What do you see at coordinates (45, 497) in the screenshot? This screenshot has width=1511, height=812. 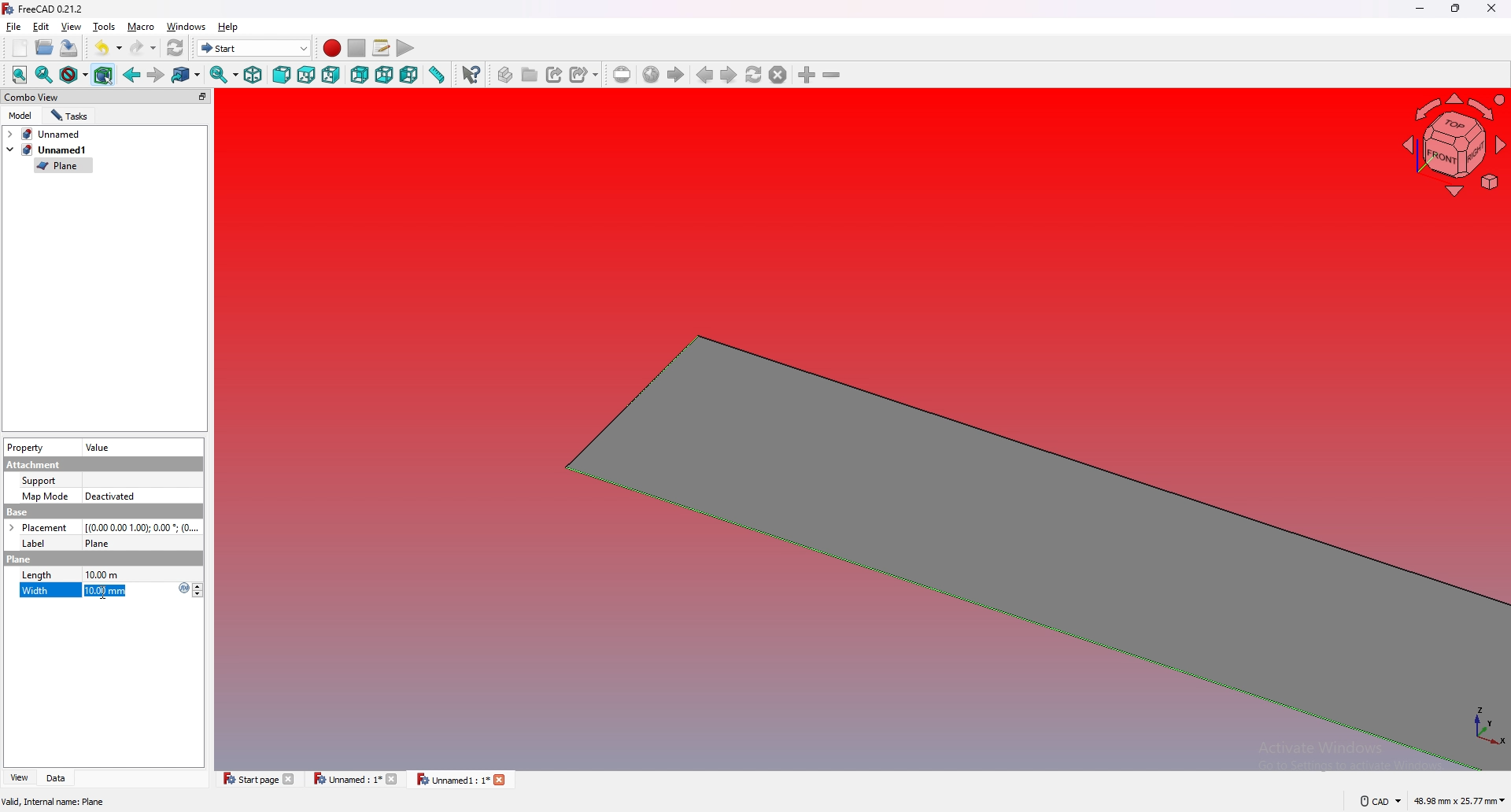 I see `Map mode` at bounding box center [45, 497].